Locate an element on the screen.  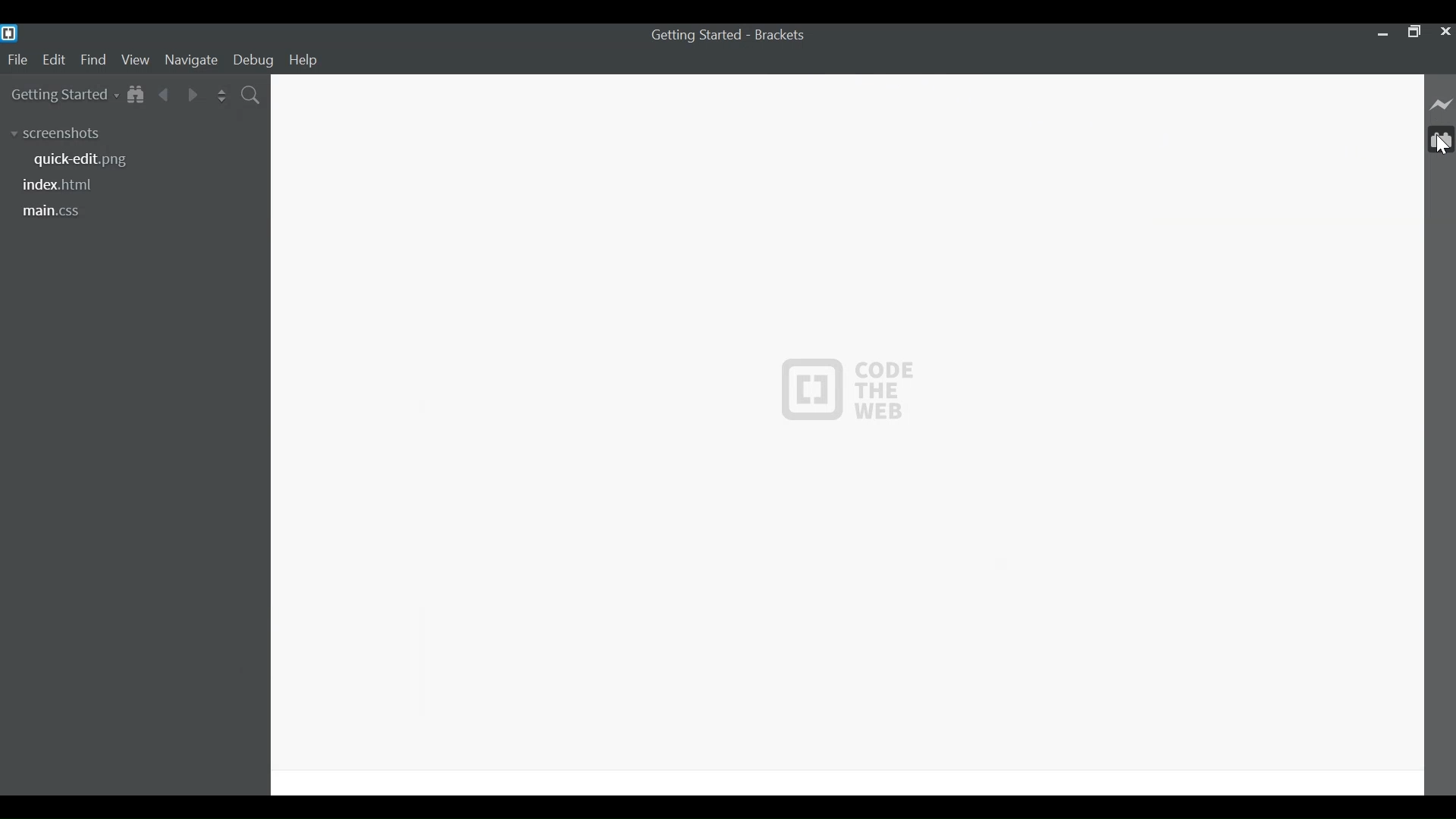
Navigate Back is located at coordinates (165, 93).